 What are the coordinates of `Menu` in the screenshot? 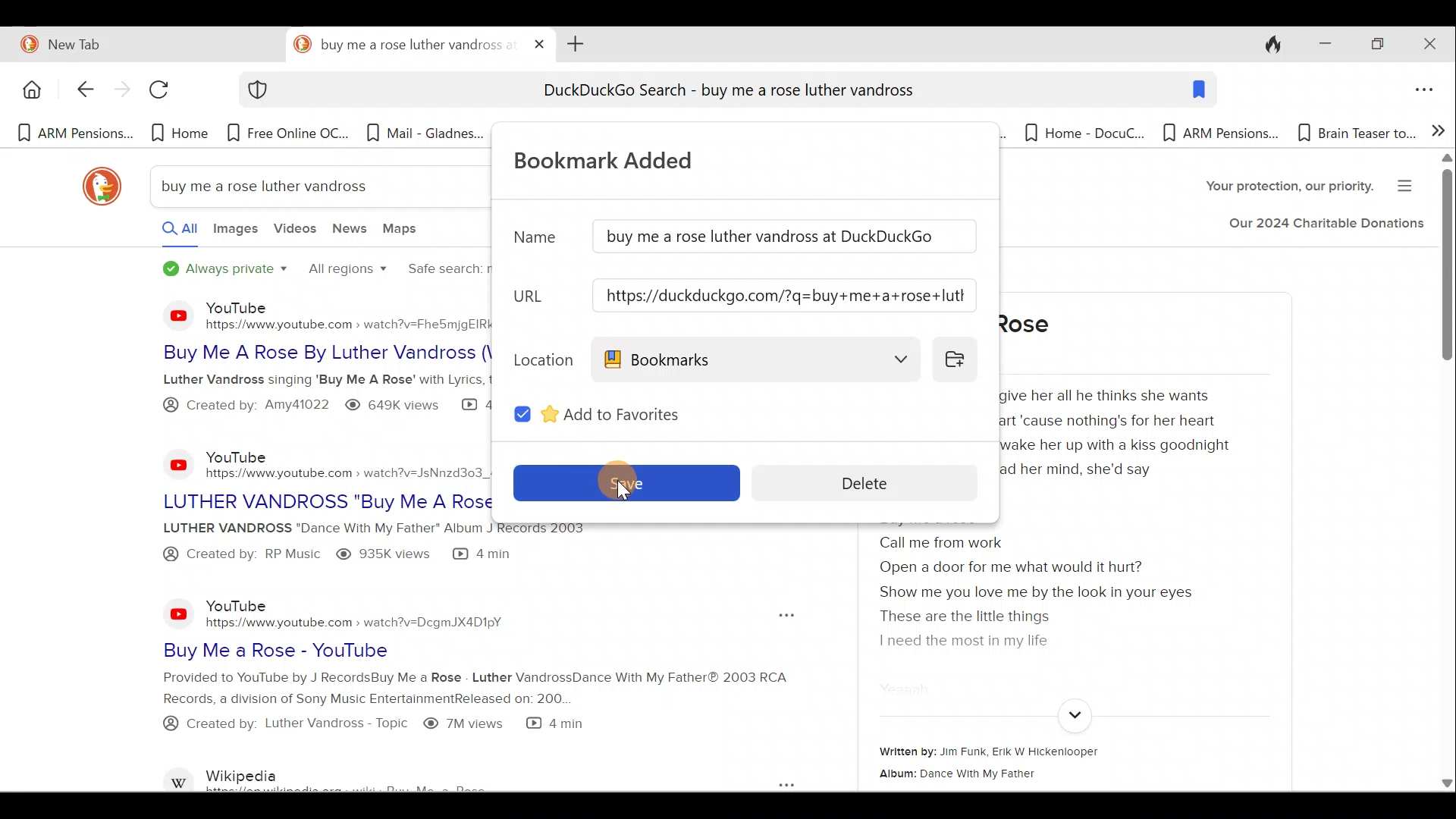 It's located at (1410, 184).